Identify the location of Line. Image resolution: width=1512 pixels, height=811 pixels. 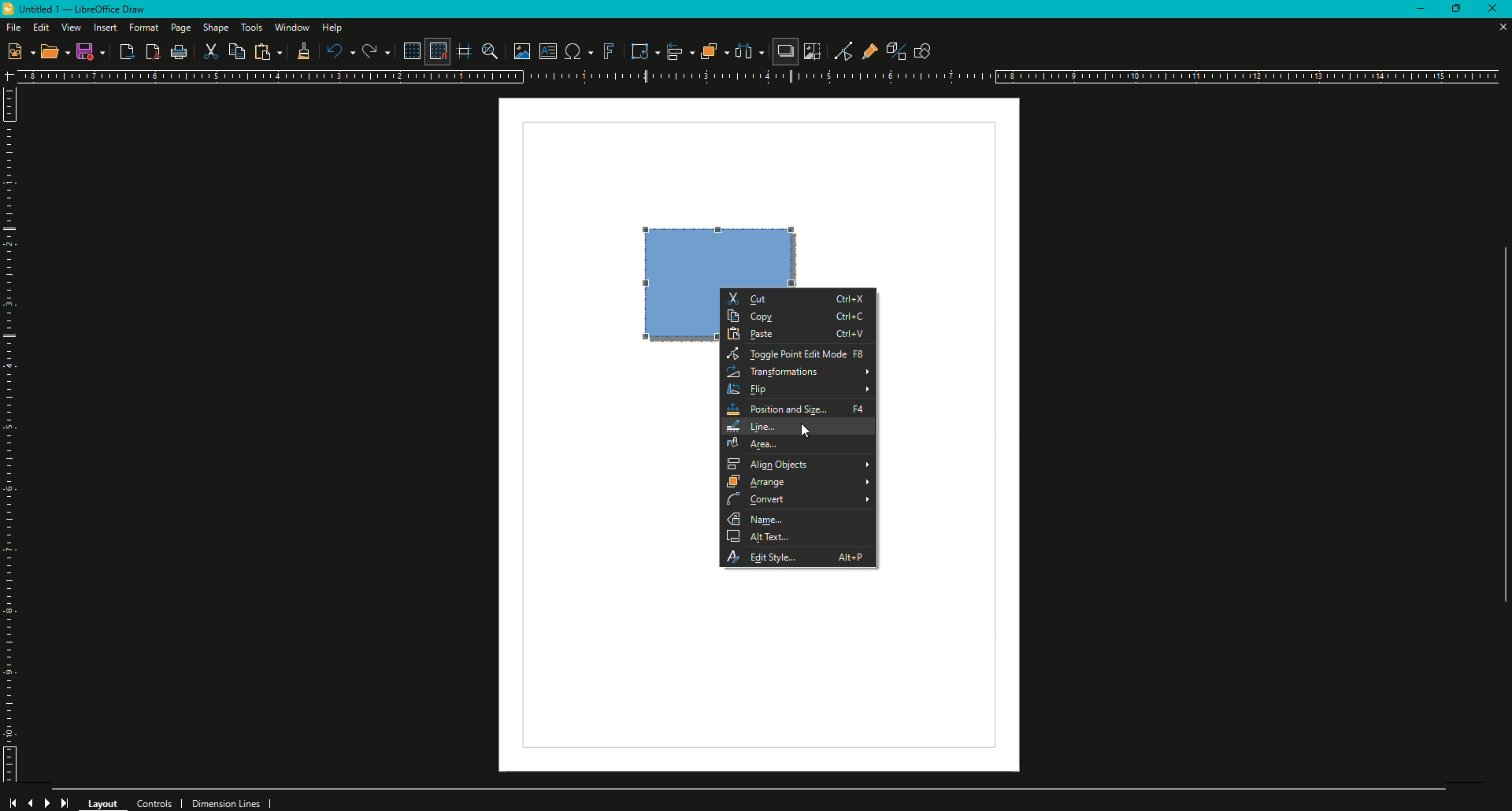
(800, 426).